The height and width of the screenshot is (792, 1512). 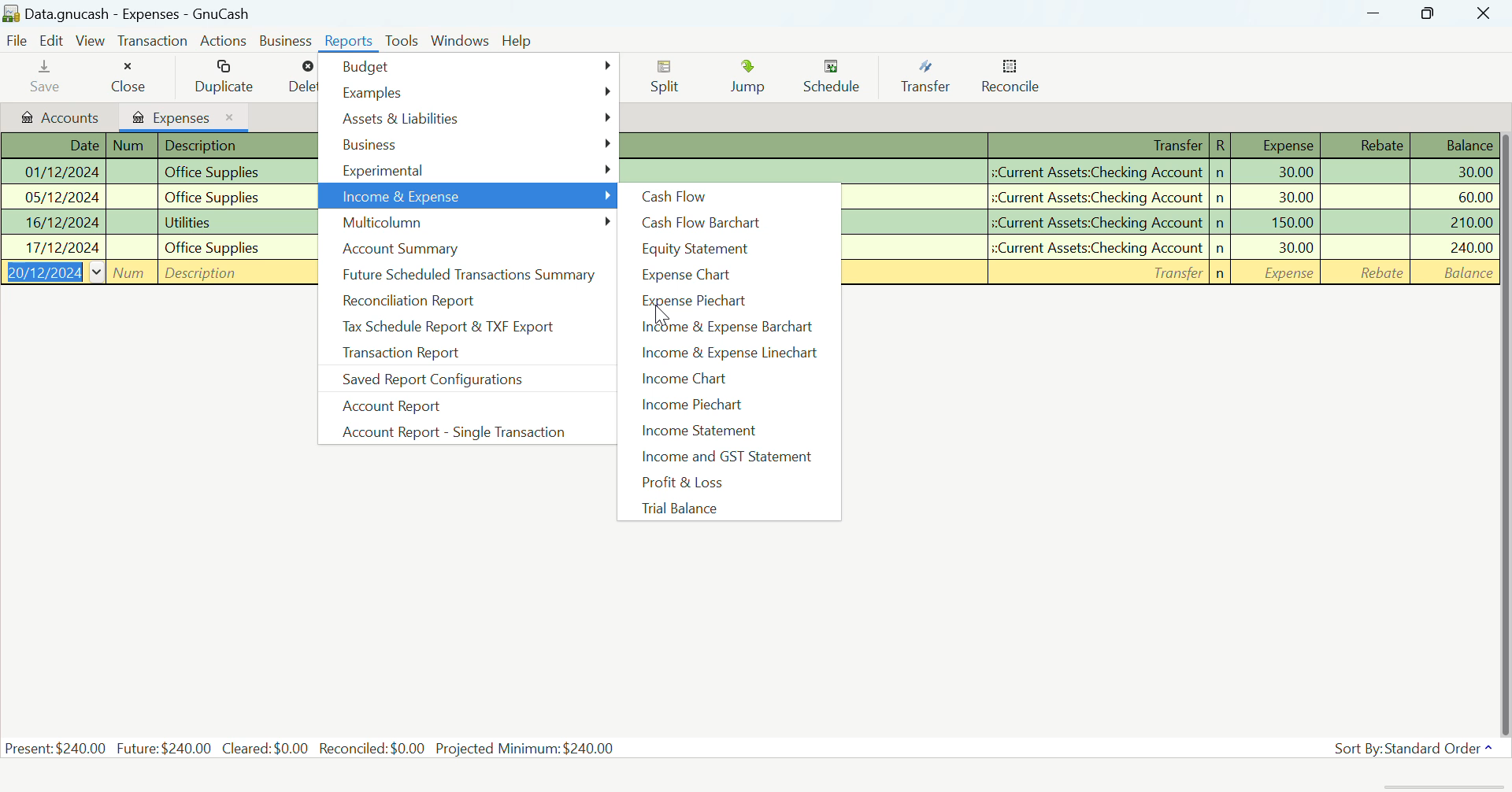 What do you see at coordinates (156, 272) in the screenshot?
I see `New Transaction Field` at bounding box center [156, 272].